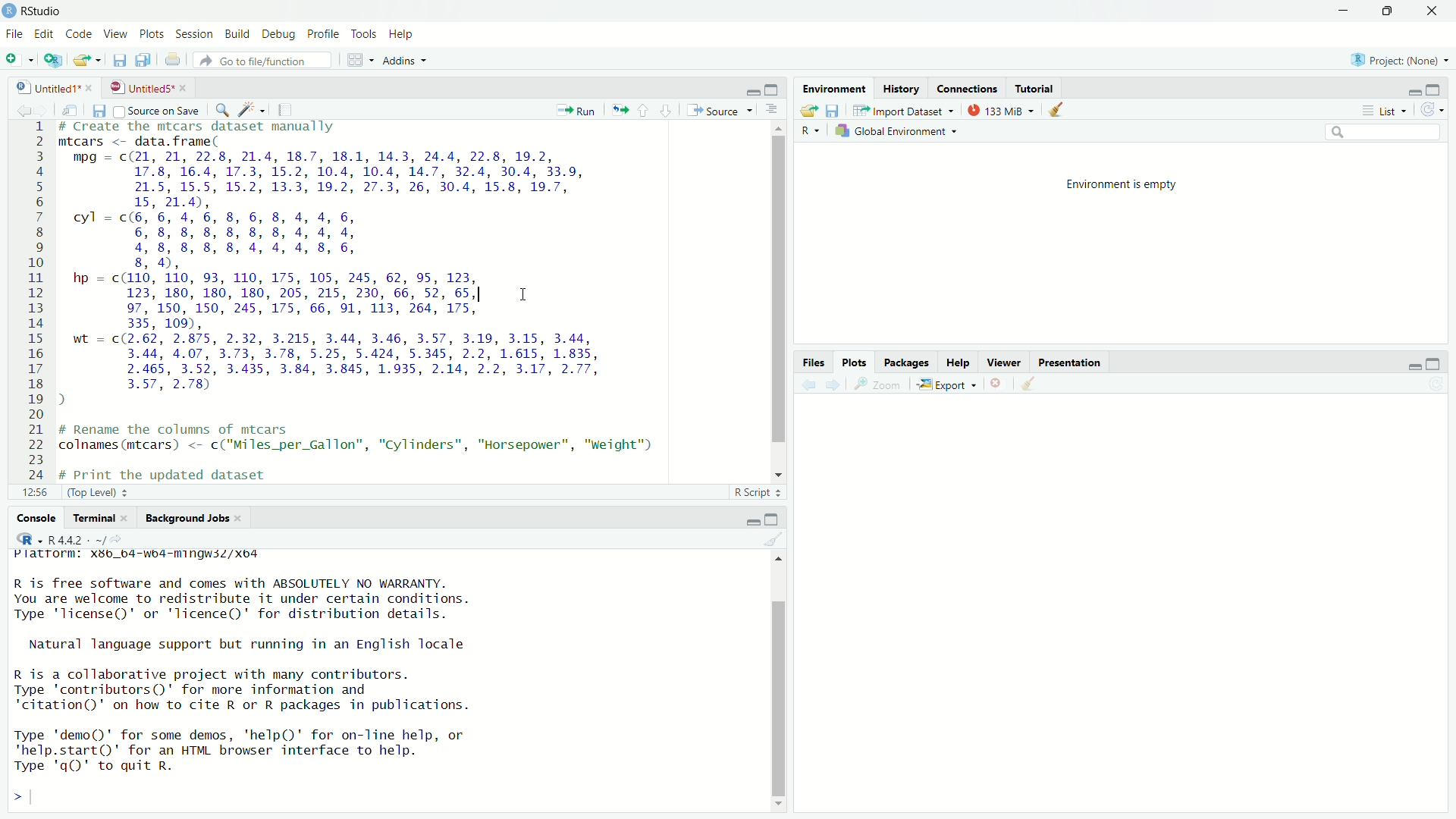 Image resolution: width=1456 pixels, height=819 pixels. What do you see at coordinates (86, 491) in the screenshot?
I see `26:1 (Top Level) =` at bounding box center [86, 491].